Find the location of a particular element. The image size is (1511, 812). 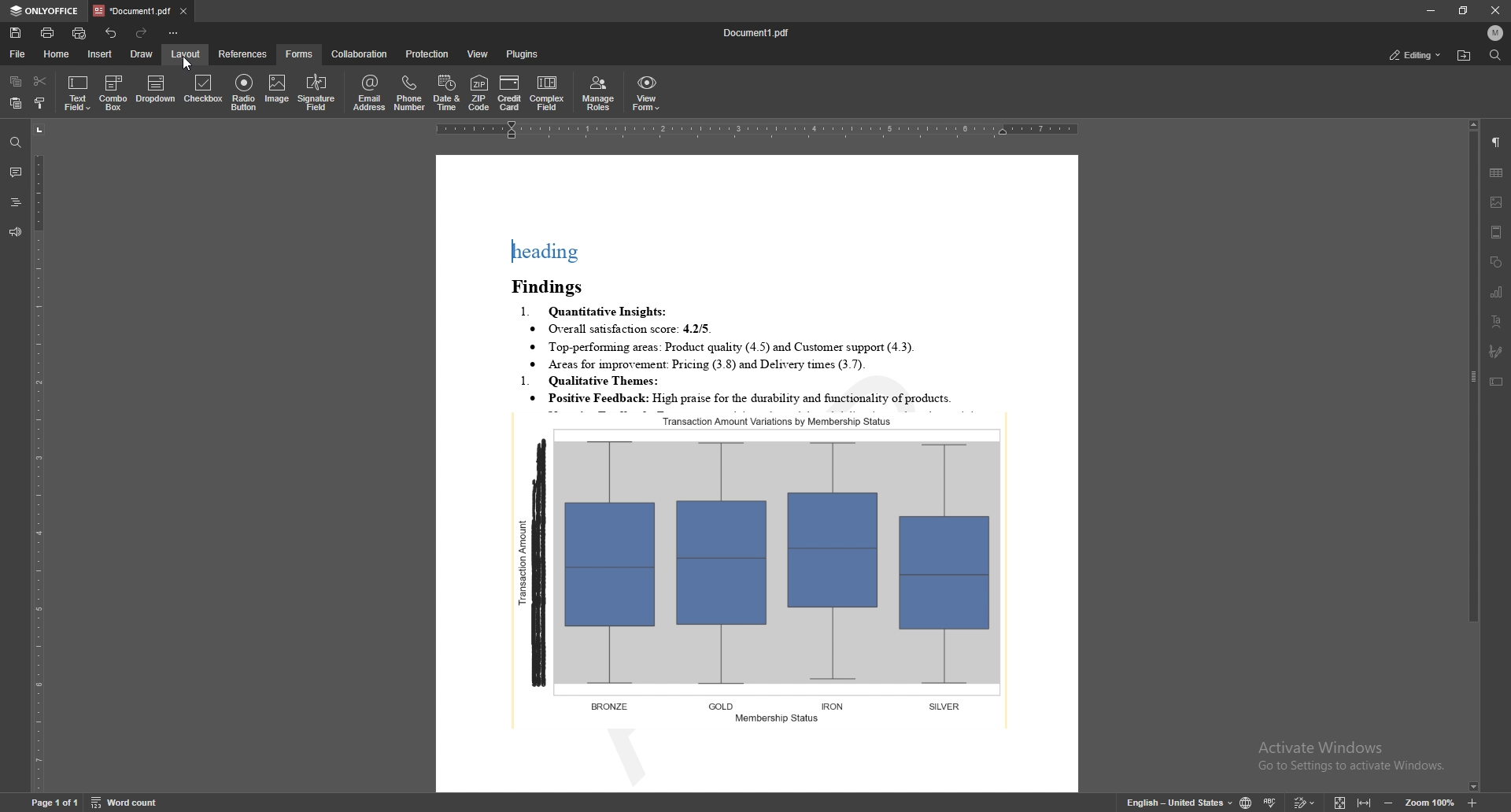

insert is located at coordinates (101, 54).